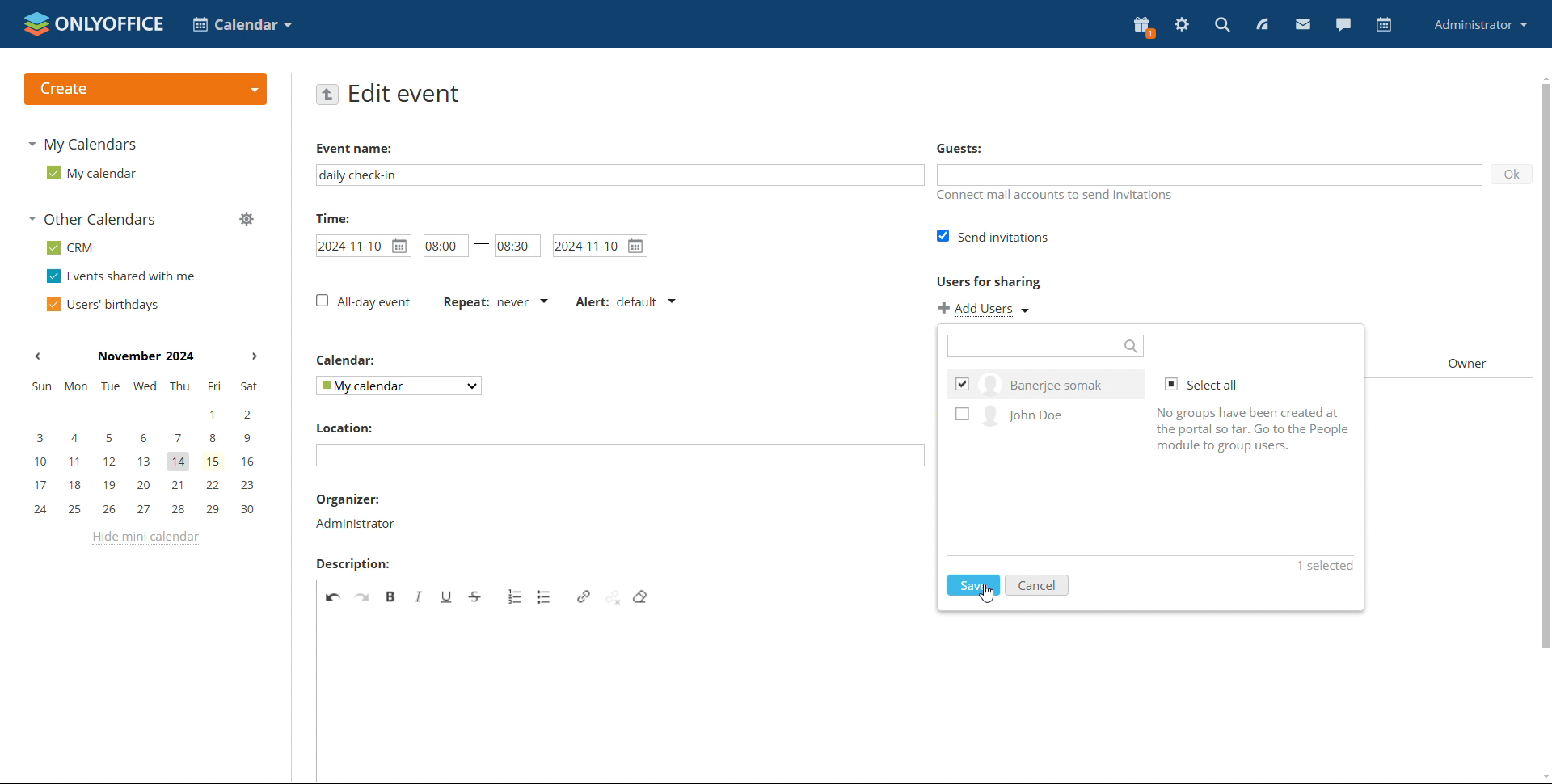 The height and width of the screenshot is (784, 1552). Describe the element at coordinates (545, 596) in the screenshot. I see `insert/remove bulleted list` at that location.